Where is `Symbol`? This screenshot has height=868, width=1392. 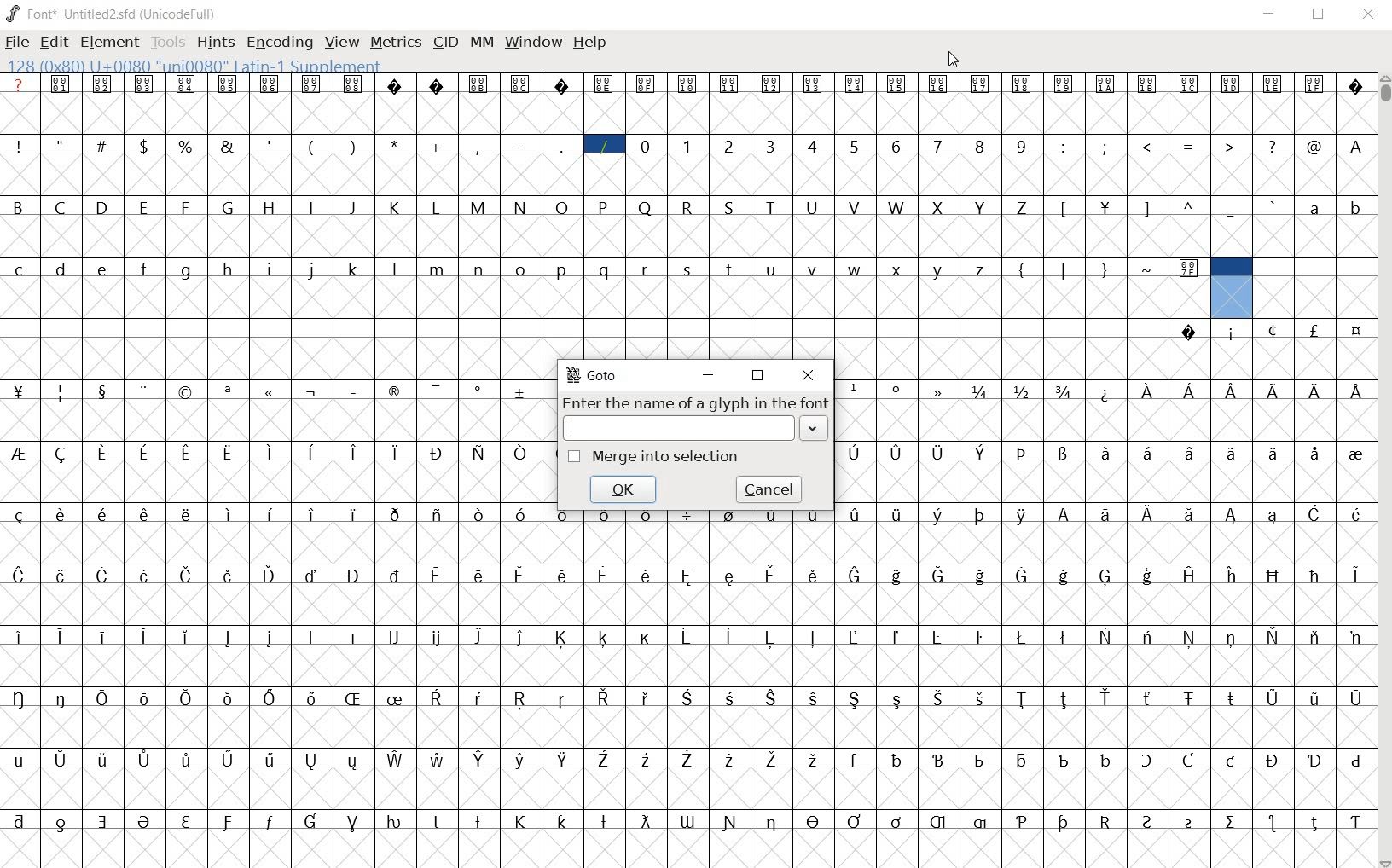 Symbol is located at coordinates (64, 698).